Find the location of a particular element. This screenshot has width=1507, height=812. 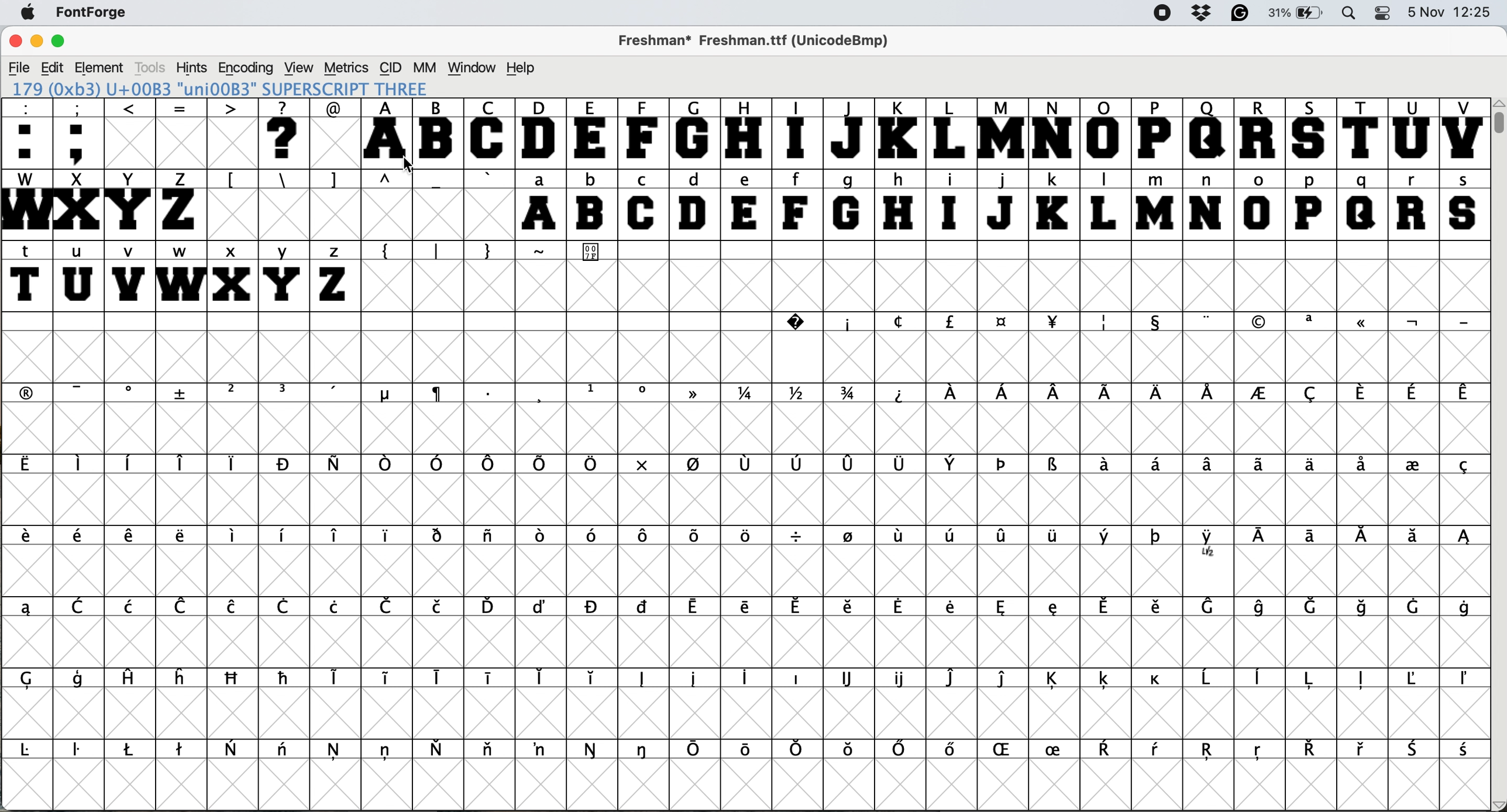

S is located at coordinates (1312, 133).